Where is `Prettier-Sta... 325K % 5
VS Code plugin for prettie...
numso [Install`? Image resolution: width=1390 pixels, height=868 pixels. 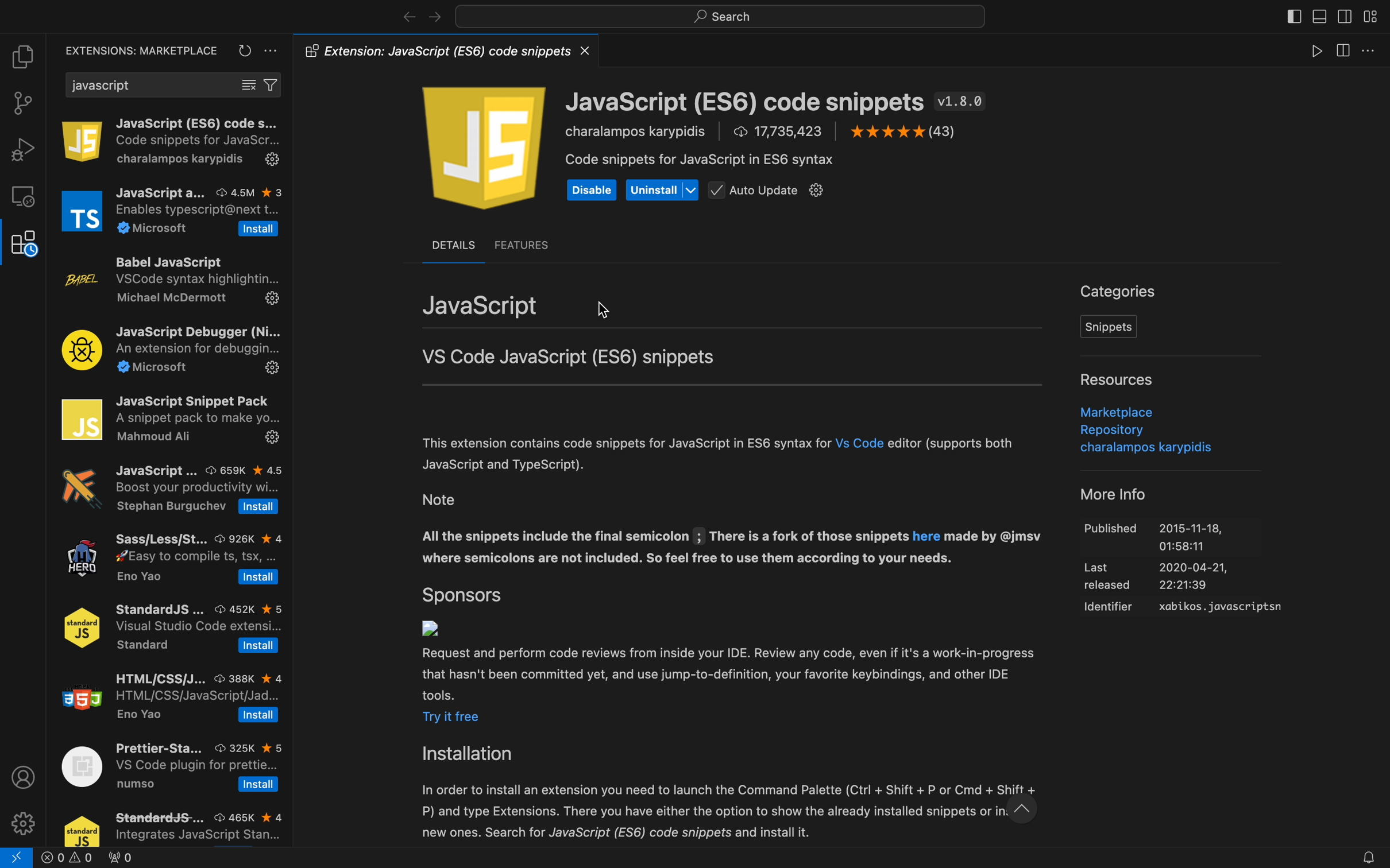 Prettier-Sta... 325K % 5
VS Code plugin for prettie...
numso [Install is located at coordinates (169, 764).